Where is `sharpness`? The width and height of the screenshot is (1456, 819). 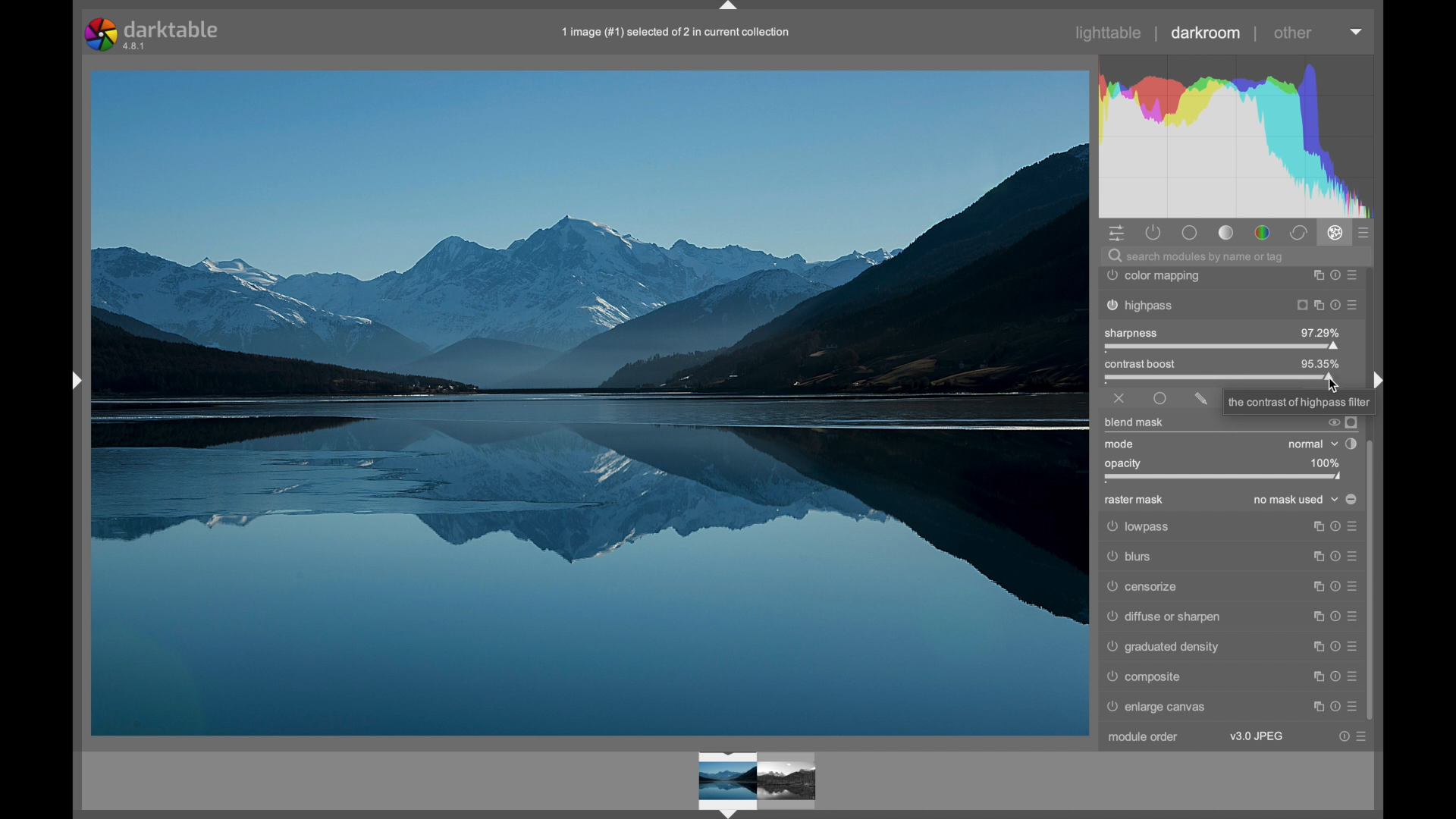
sharpness is located at coordinates (1131, 332).